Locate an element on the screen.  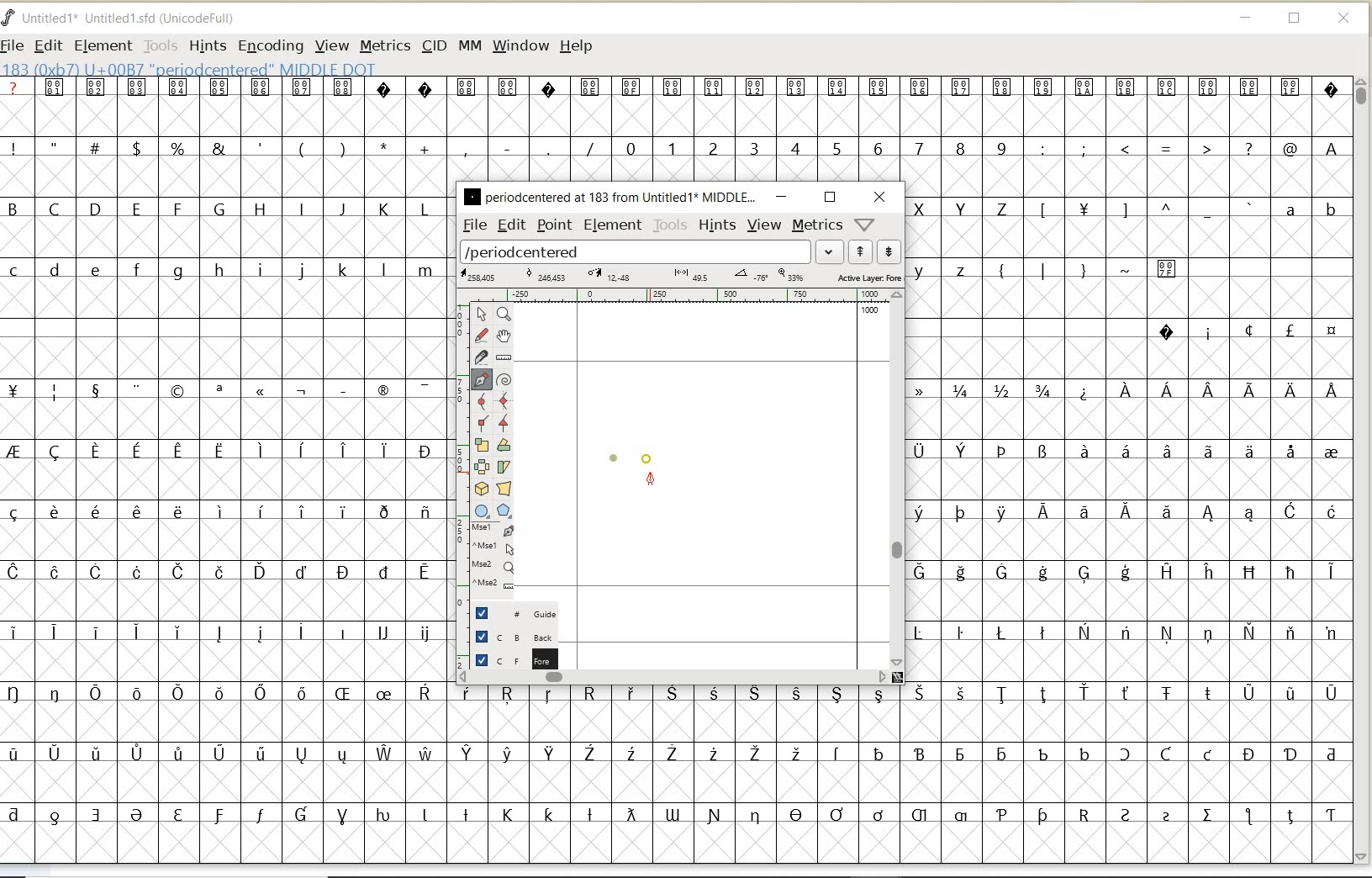
view is located at coordinates (765, 225).